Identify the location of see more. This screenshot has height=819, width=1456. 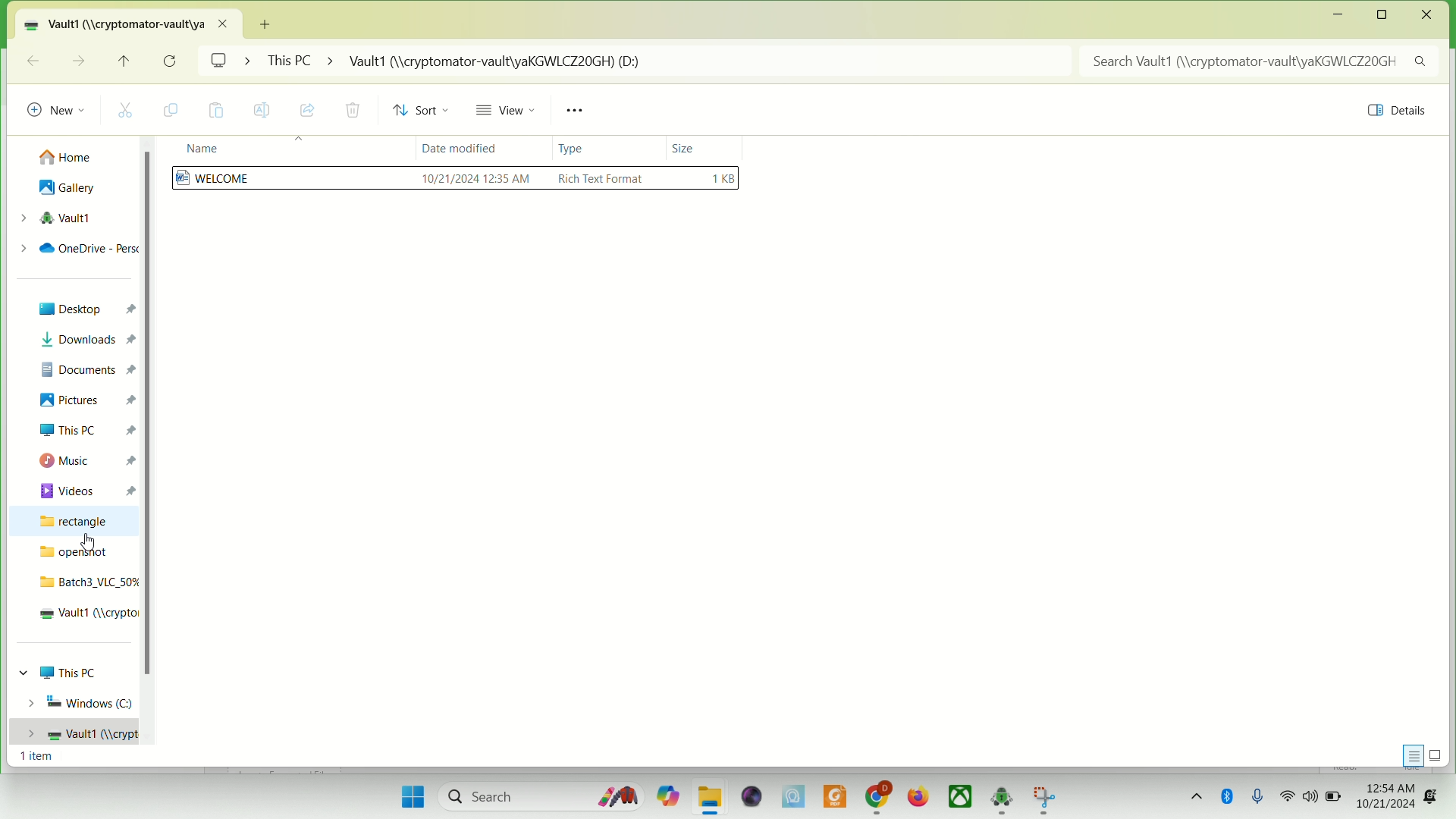
(579, 111).